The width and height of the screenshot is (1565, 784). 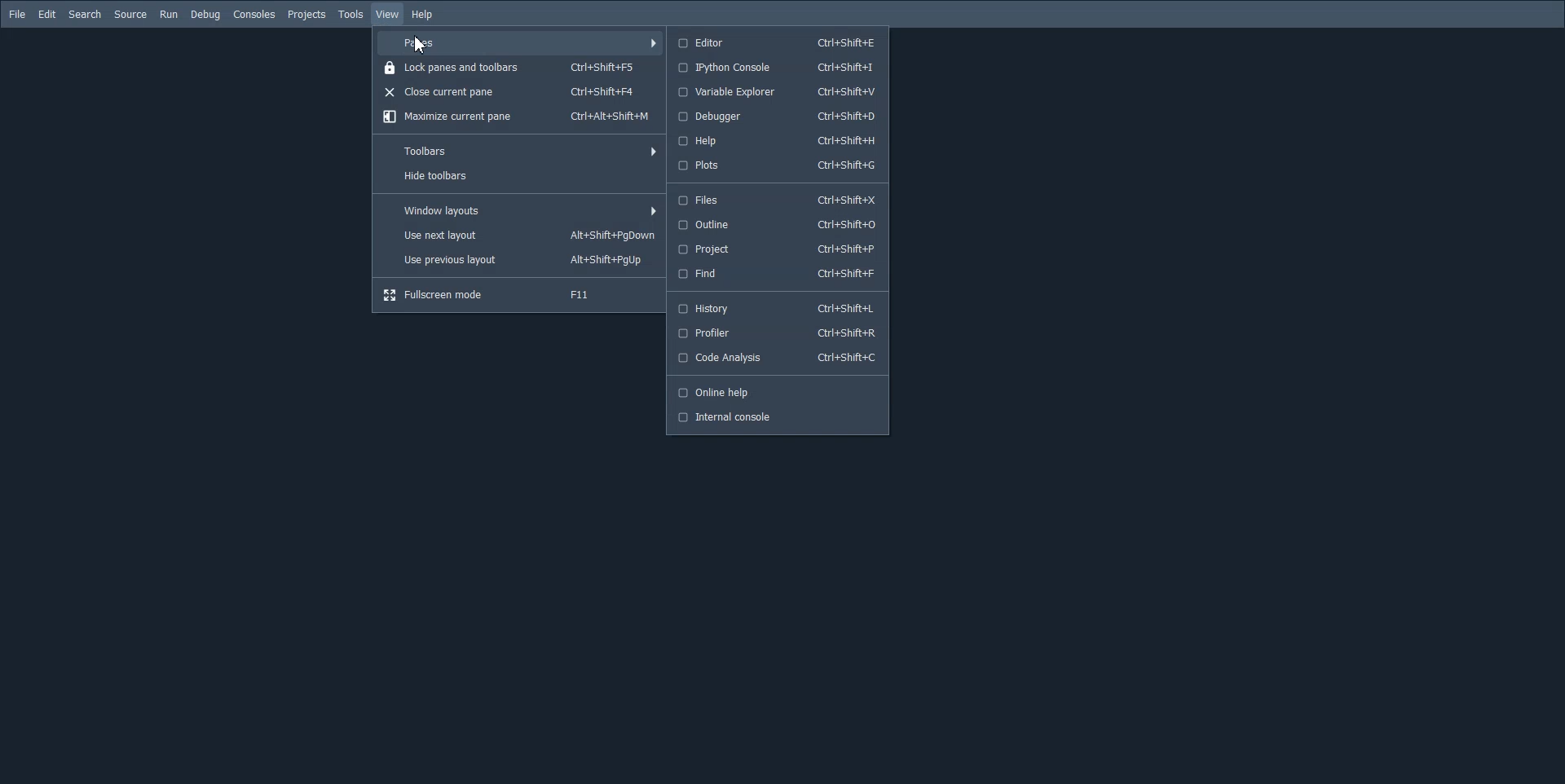 I want to click on Outline, so click(x=780, y=225).